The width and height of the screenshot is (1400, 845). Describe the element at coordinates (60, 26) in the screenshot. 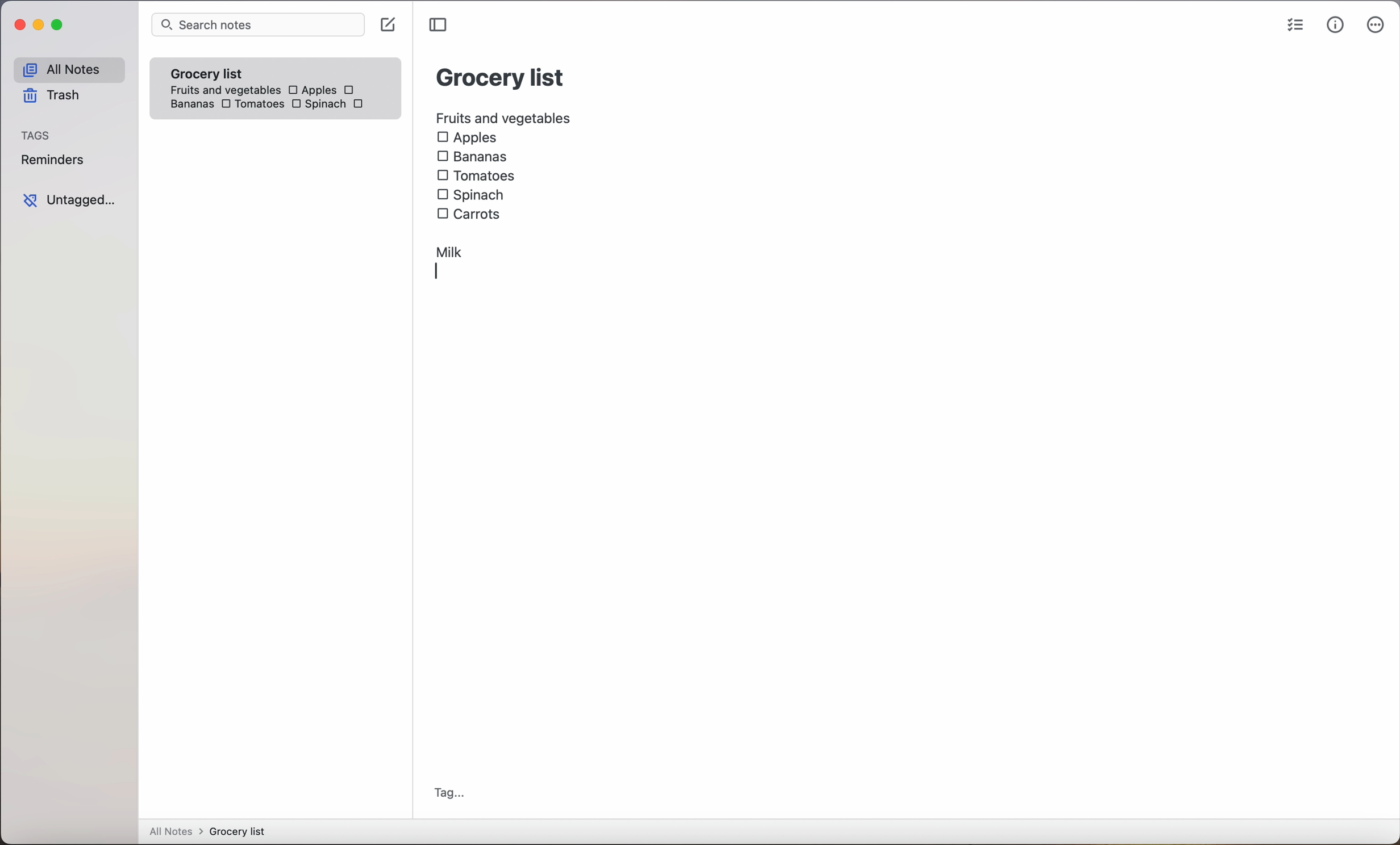

I see `maximize Simplenote` at that location.